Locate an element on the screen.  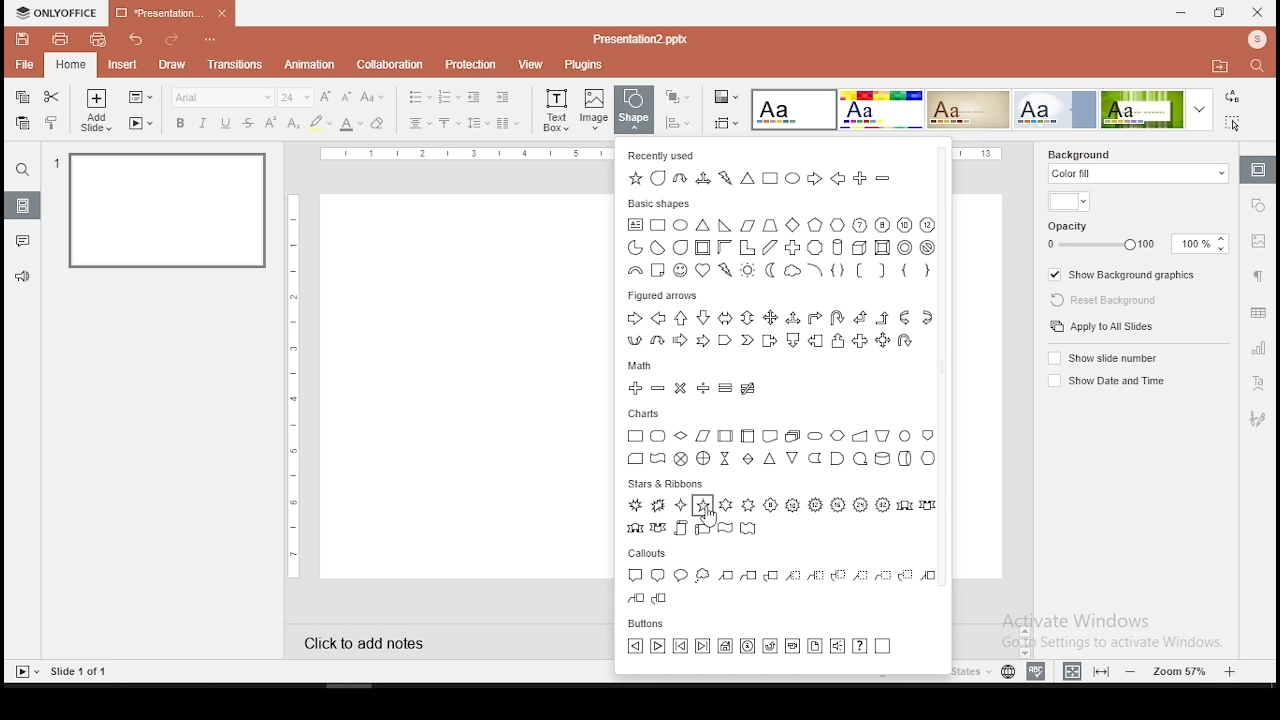
underline is located at coordinates (226, 124).